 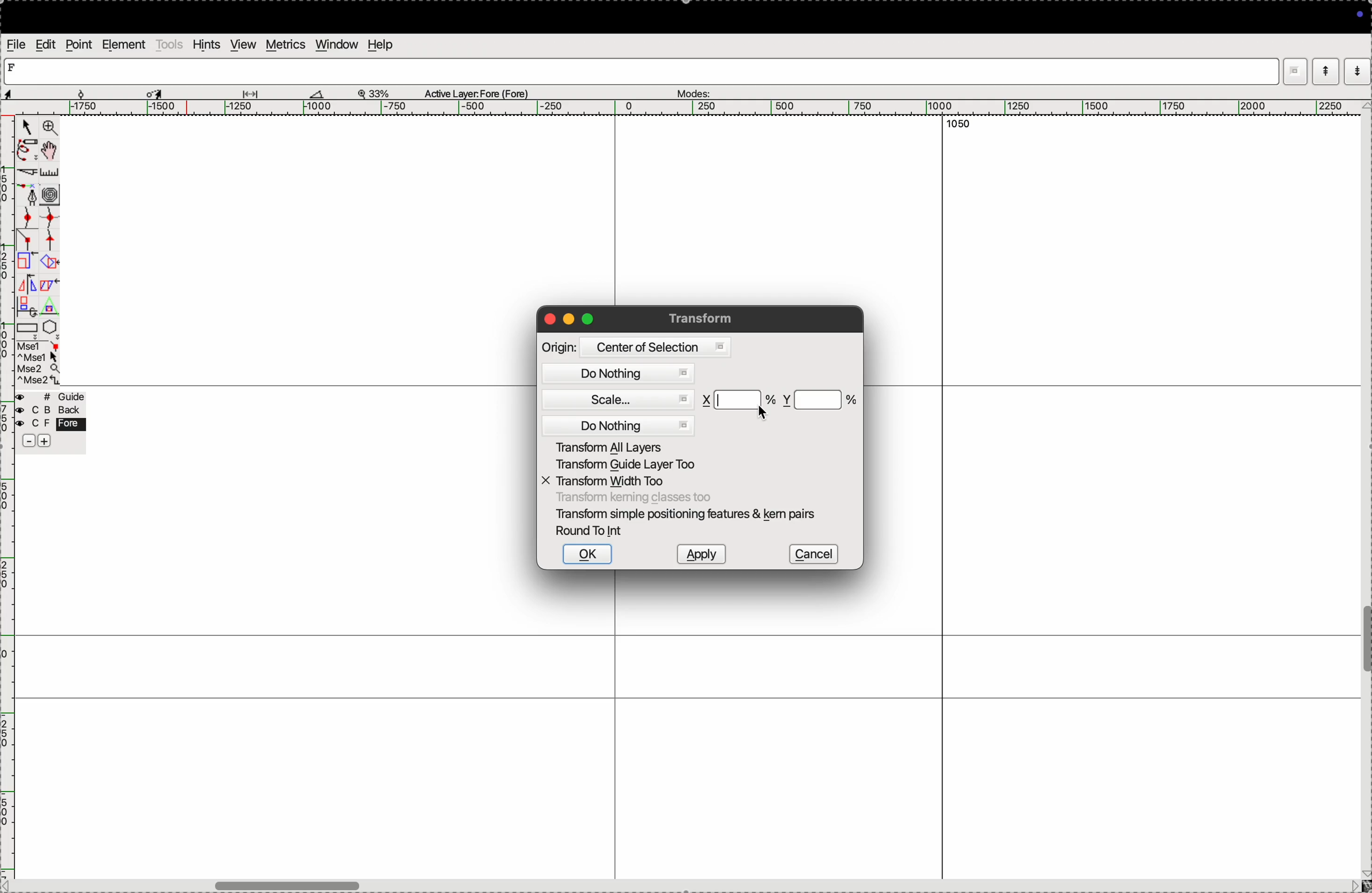 I want to click on mode up, so click(x=1324, y=71).